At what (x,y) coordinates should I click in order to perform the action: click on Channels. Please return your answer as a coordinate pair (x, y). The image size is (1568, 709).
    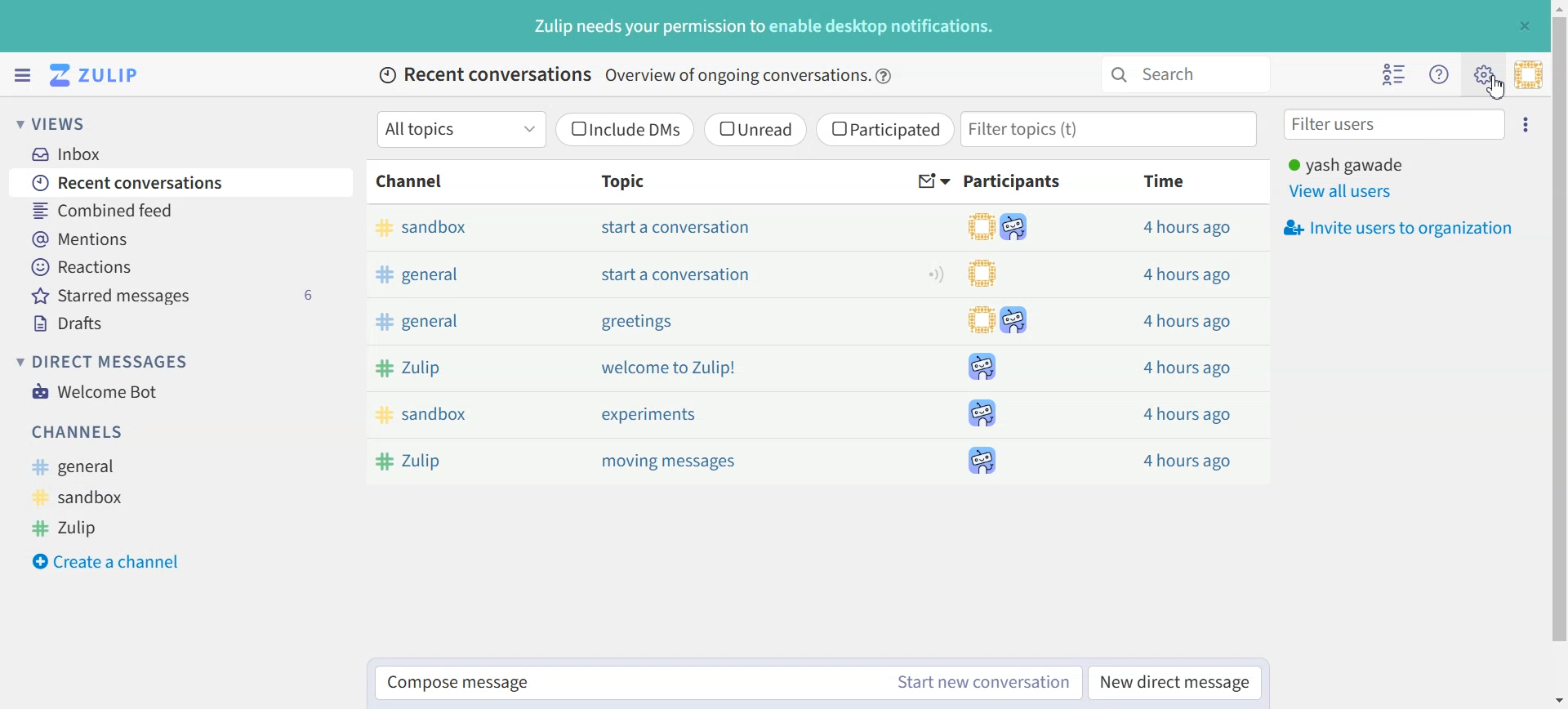
    Looking at the image, I should click on (80, 431).